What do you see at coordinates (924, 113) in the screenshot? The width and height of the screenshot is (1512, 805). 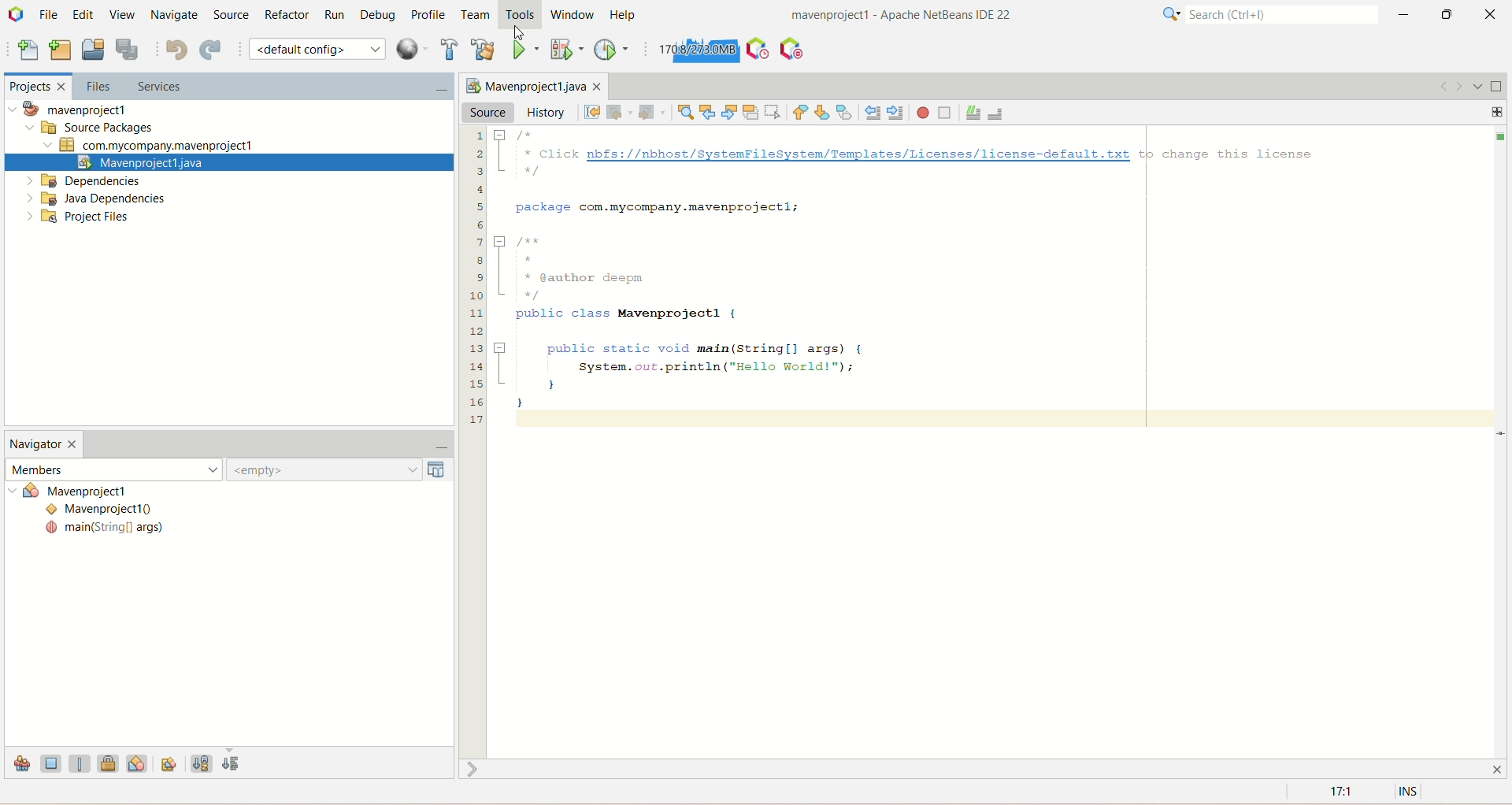 I see `start macro recording` at bounding box center [924, 113].